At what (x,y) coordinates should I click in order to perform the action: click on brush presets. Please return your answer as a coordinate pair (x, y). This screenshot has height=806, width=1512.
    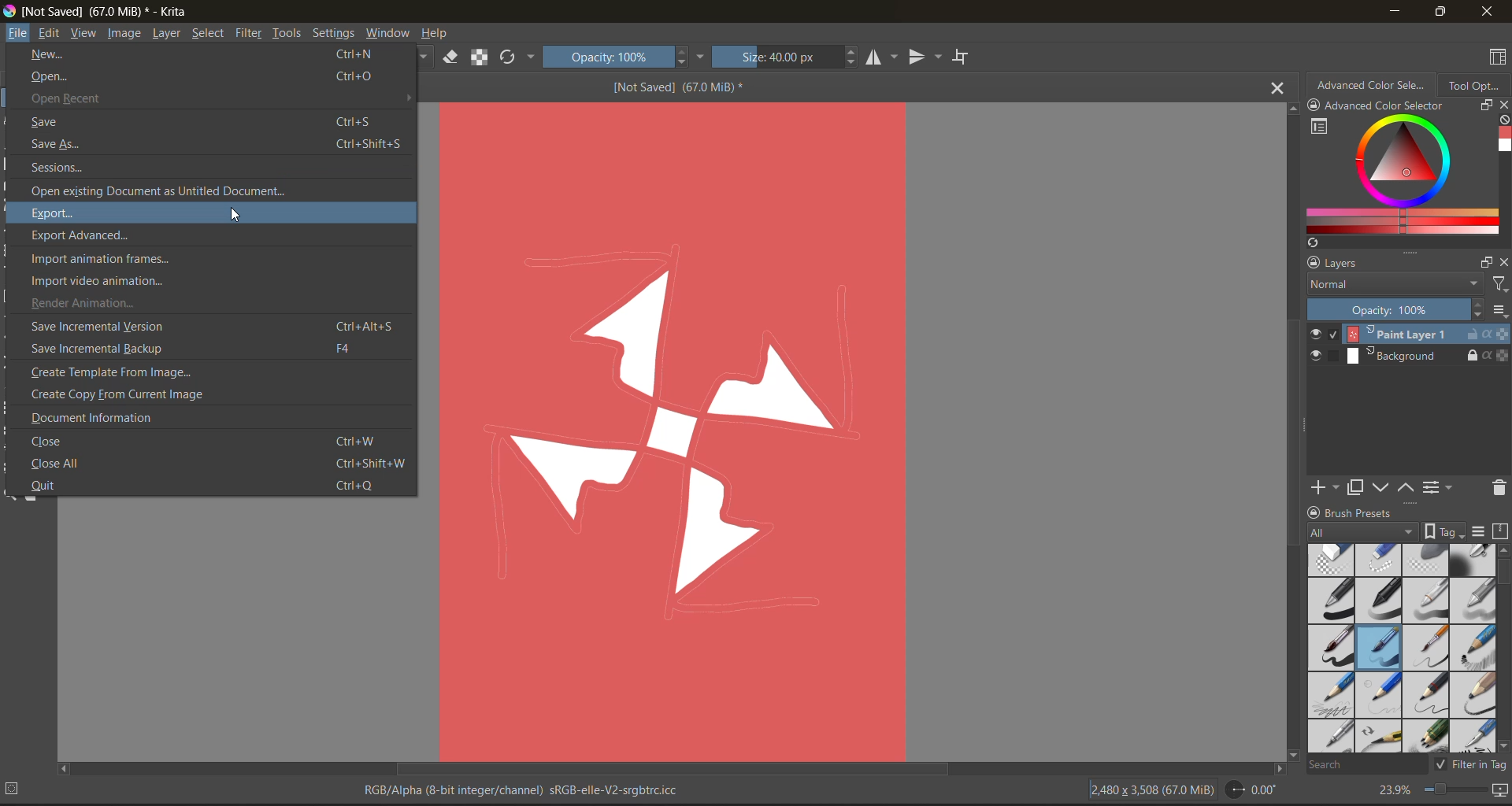
    Looking at the image, I should click on (1403, 649).